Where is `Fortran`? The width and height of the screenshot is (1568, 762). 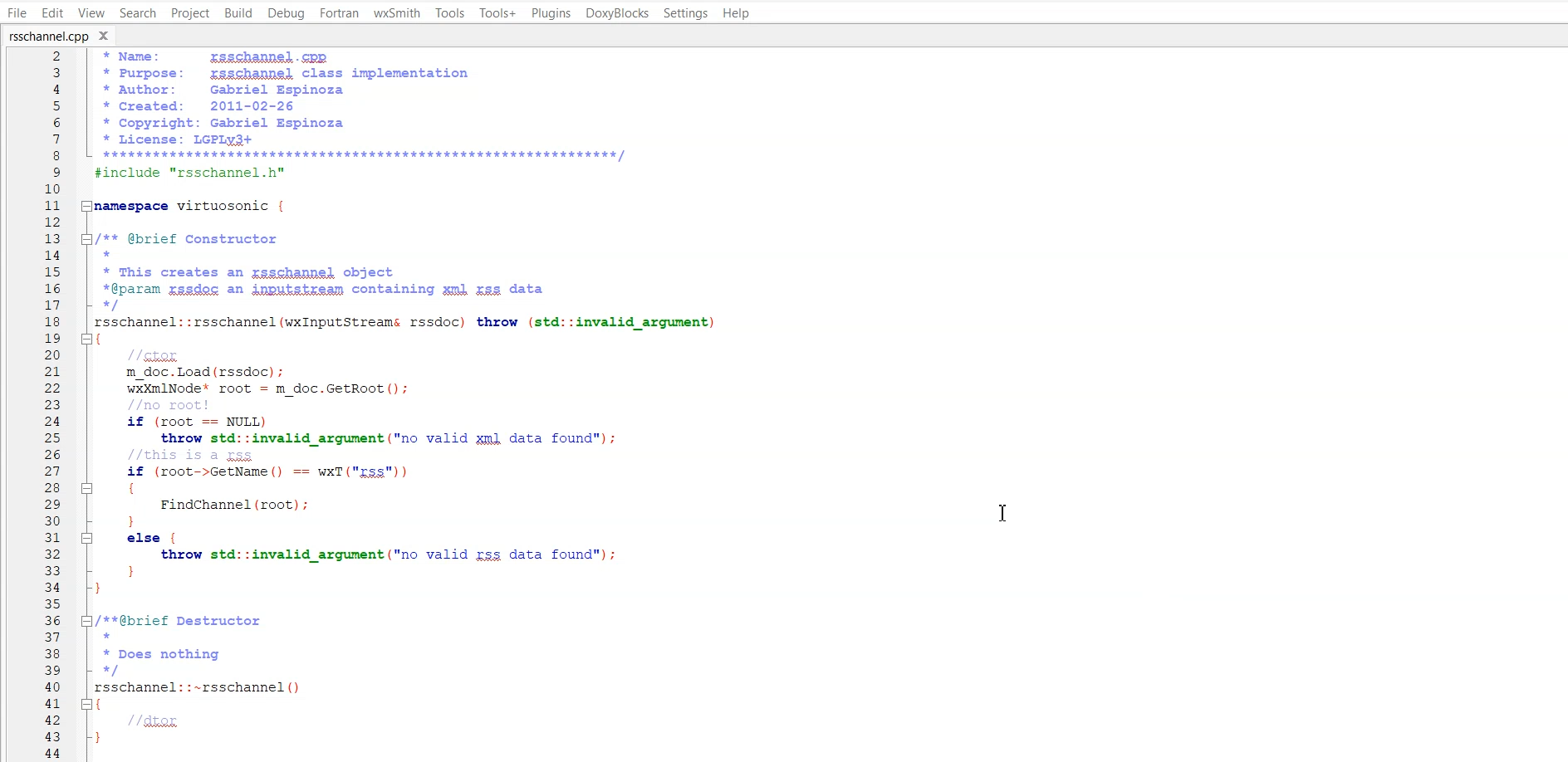
Fortran is located at coordinates (338, 13).